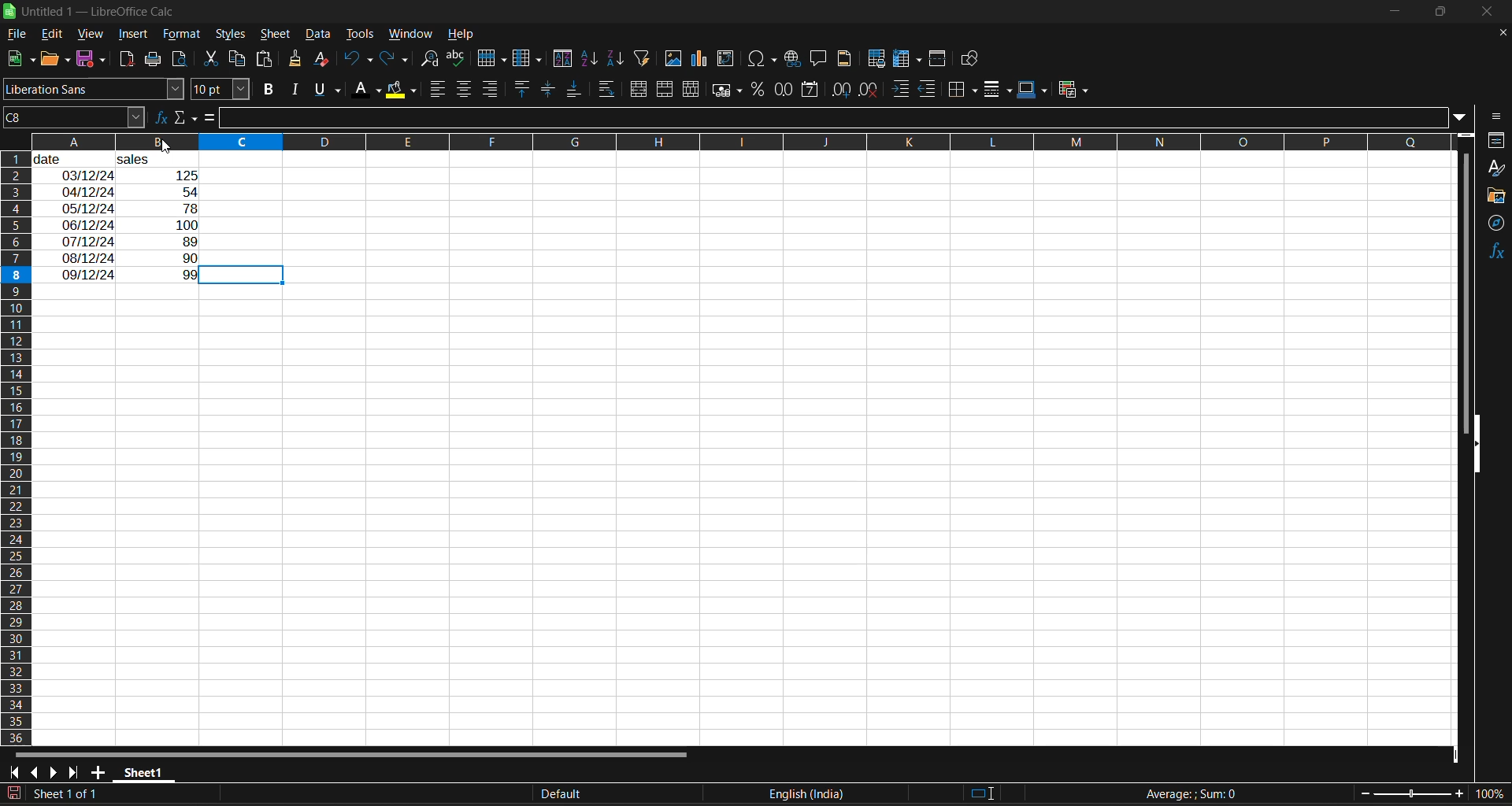 Image resolution: width=1512 pixels, height=806 pixels. I want to click on conditional, so click(1071, 91).